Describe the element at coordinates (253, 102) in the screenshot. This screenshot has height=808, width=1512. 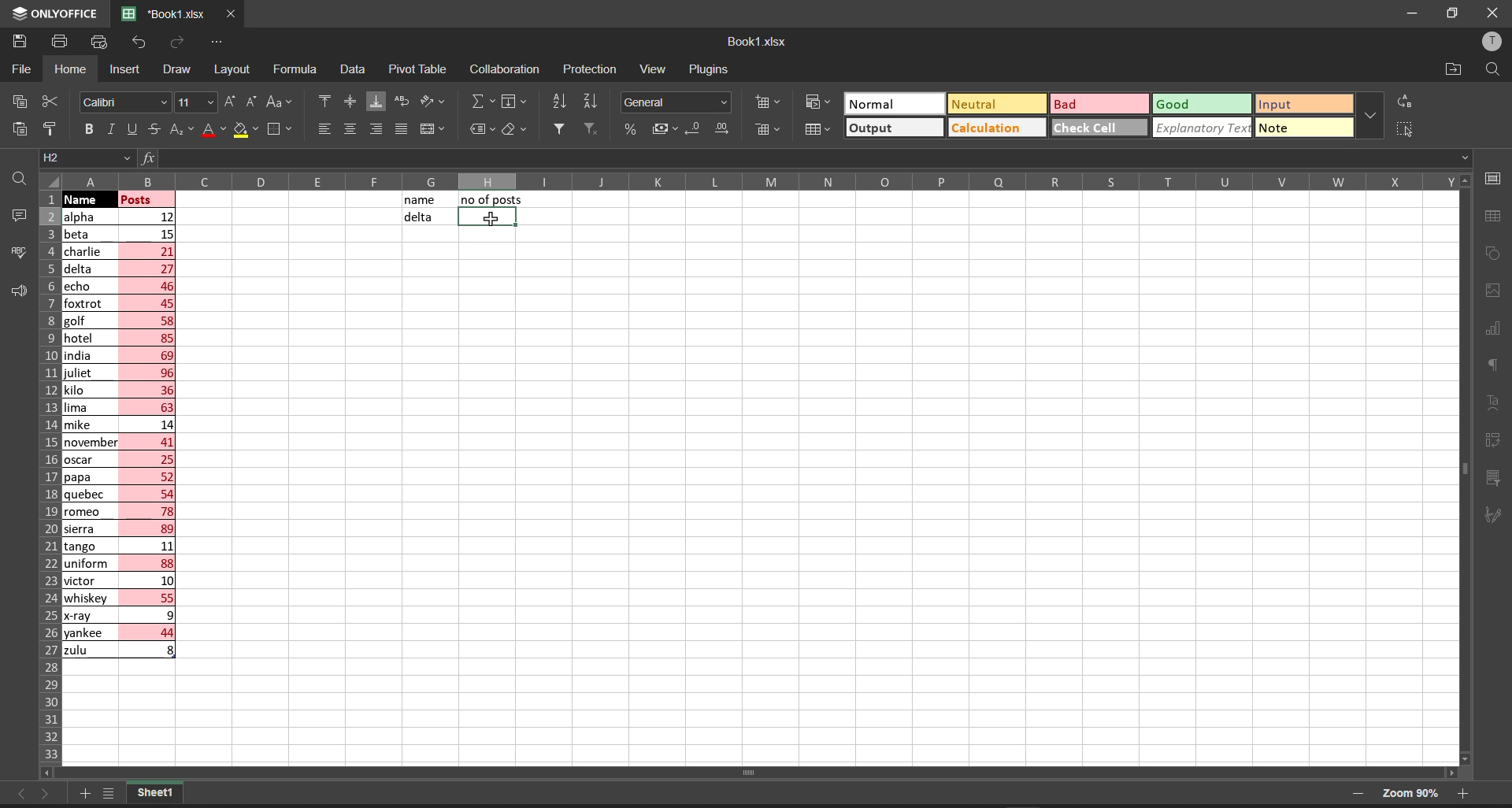
I see `decrement font size` at that location.